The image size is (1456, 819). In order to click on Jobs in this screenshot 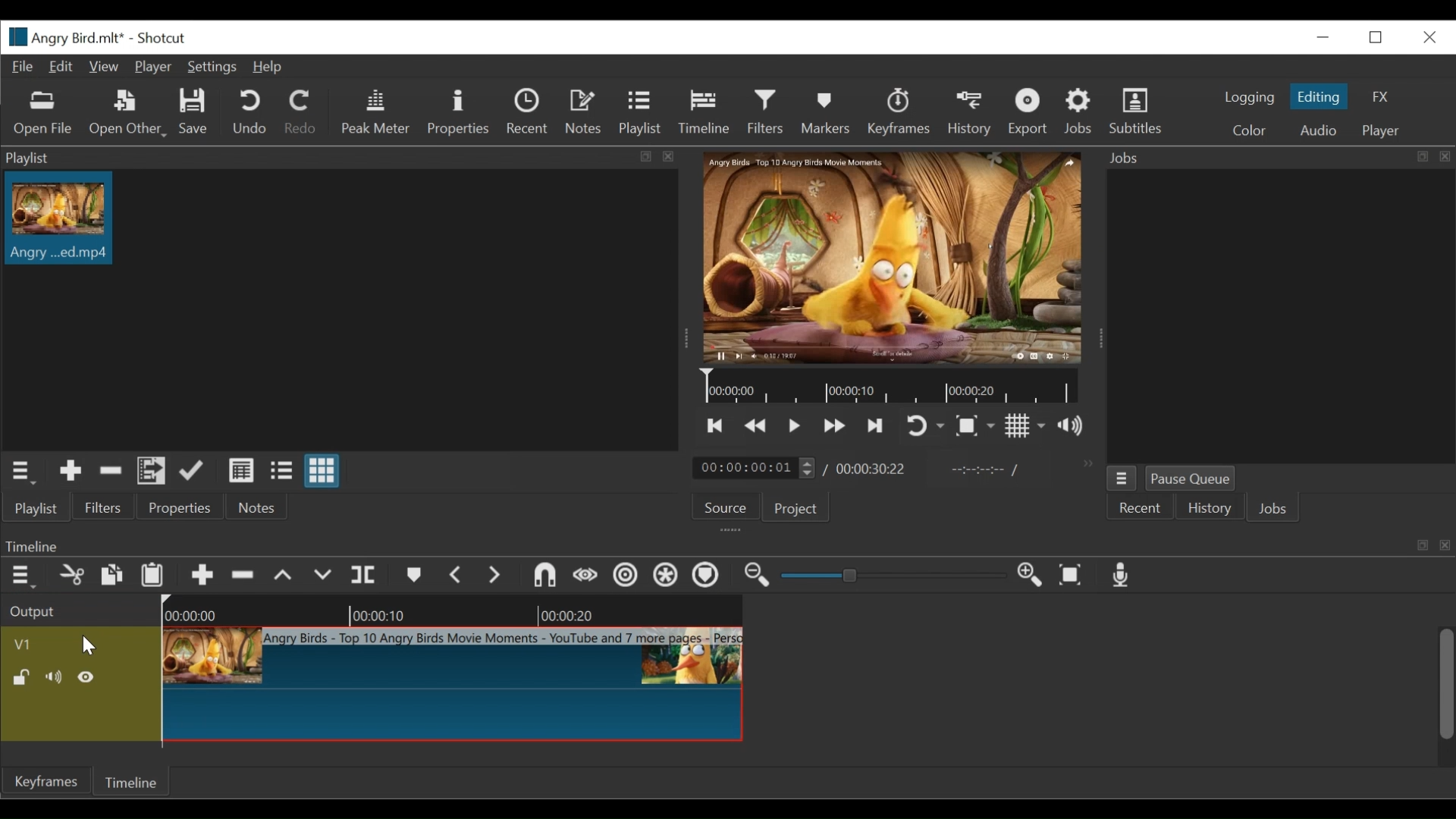, I will do `click(1081, 112)`.